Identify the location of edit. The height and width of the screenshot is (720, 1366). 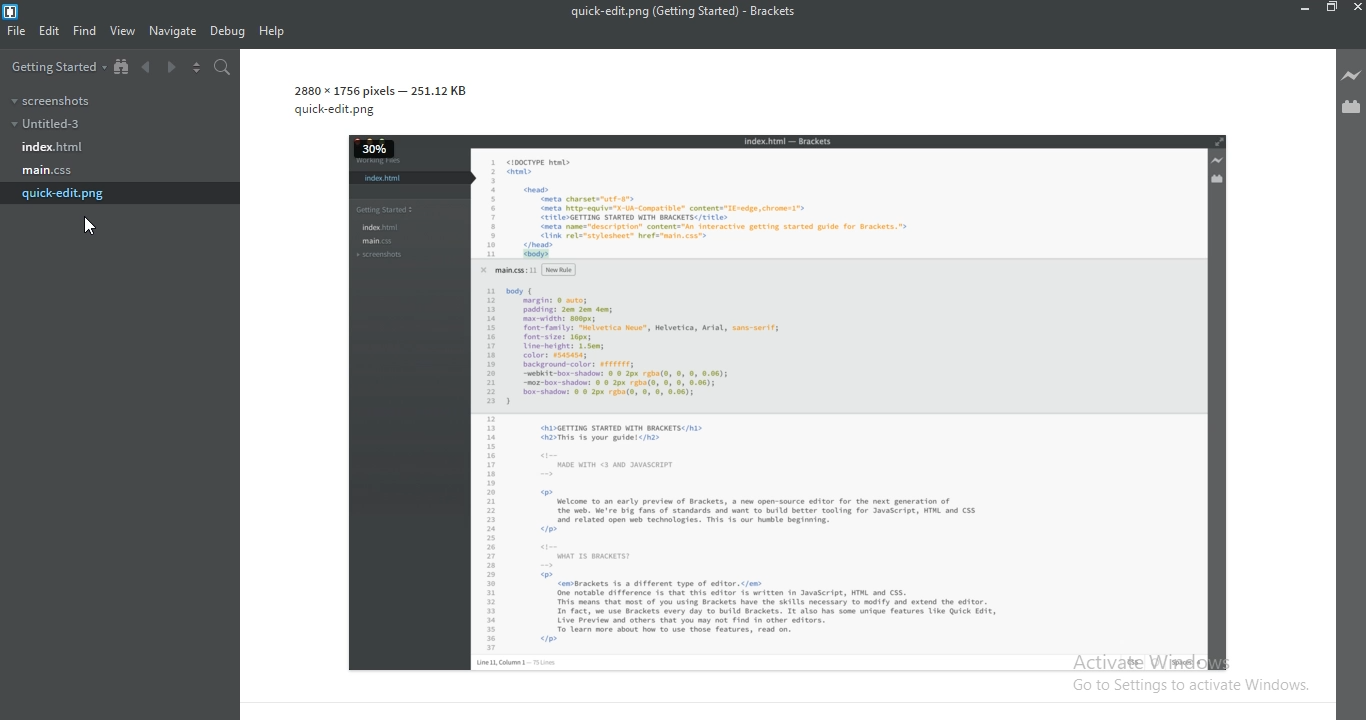
(50, 31).